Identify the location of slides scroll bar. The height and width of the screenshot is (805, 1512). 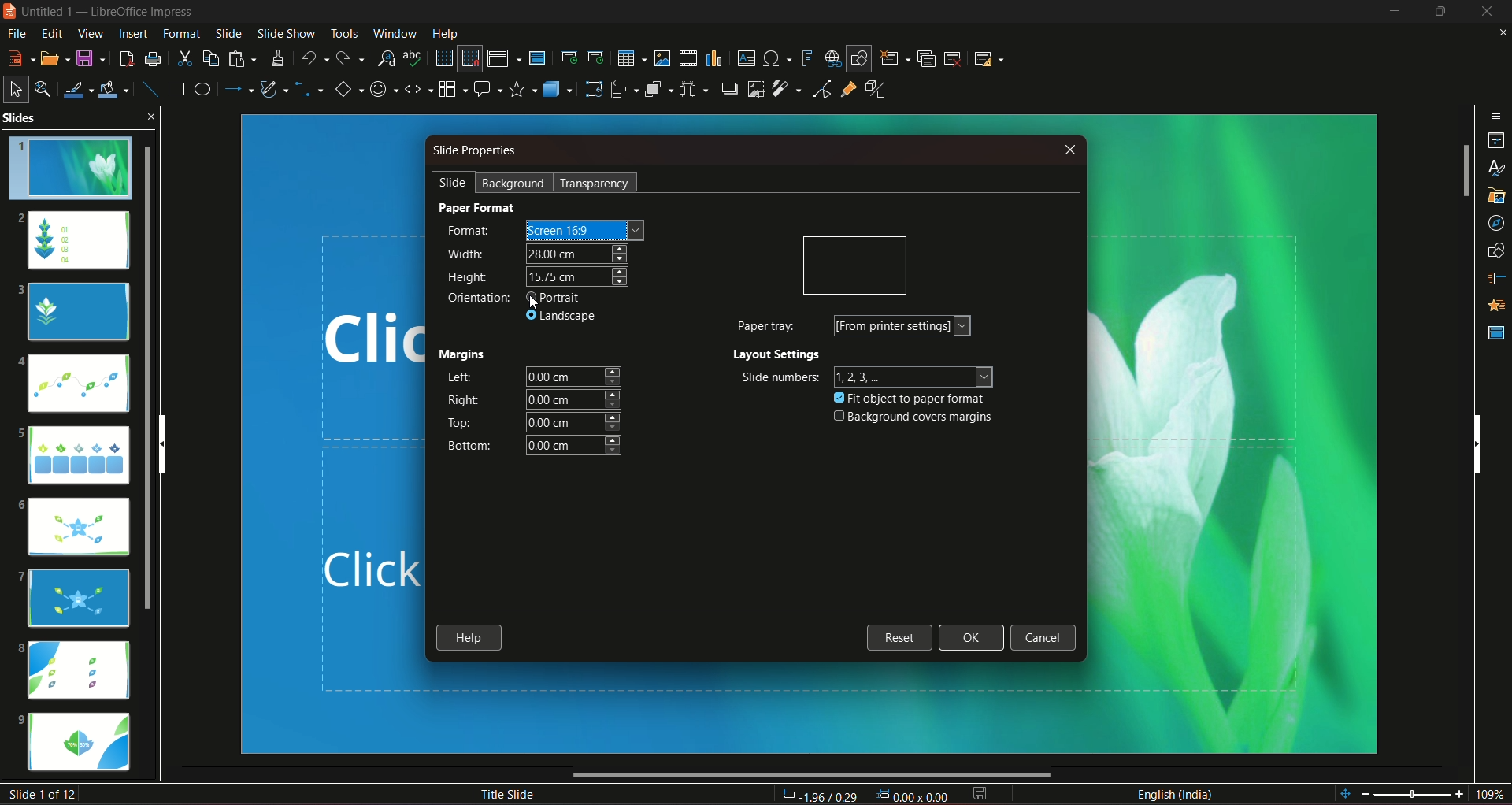
(154, 376).